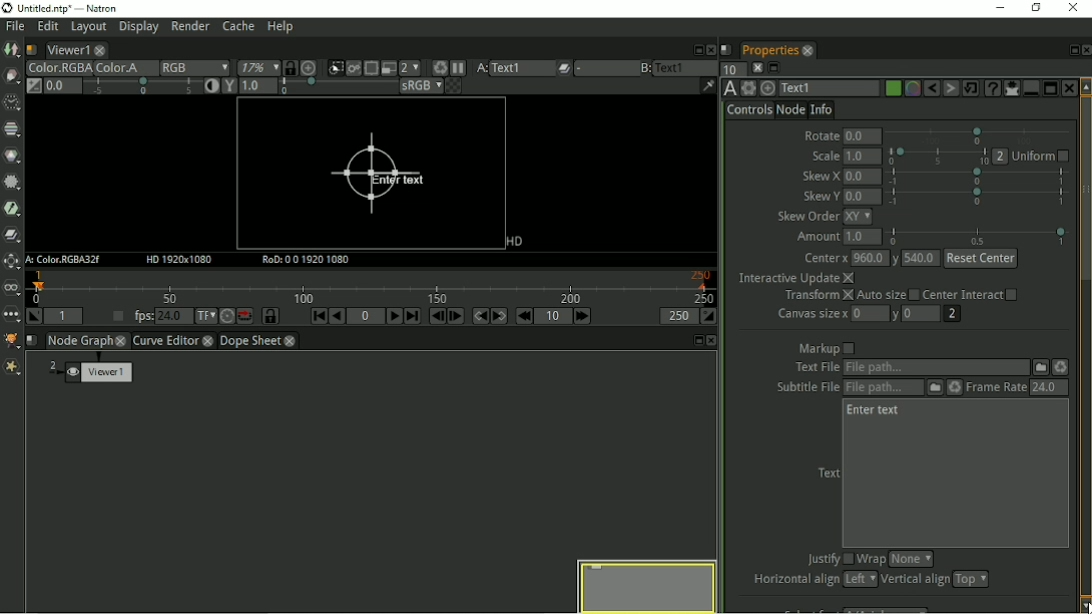  I want to click on A, so click(480, 68).